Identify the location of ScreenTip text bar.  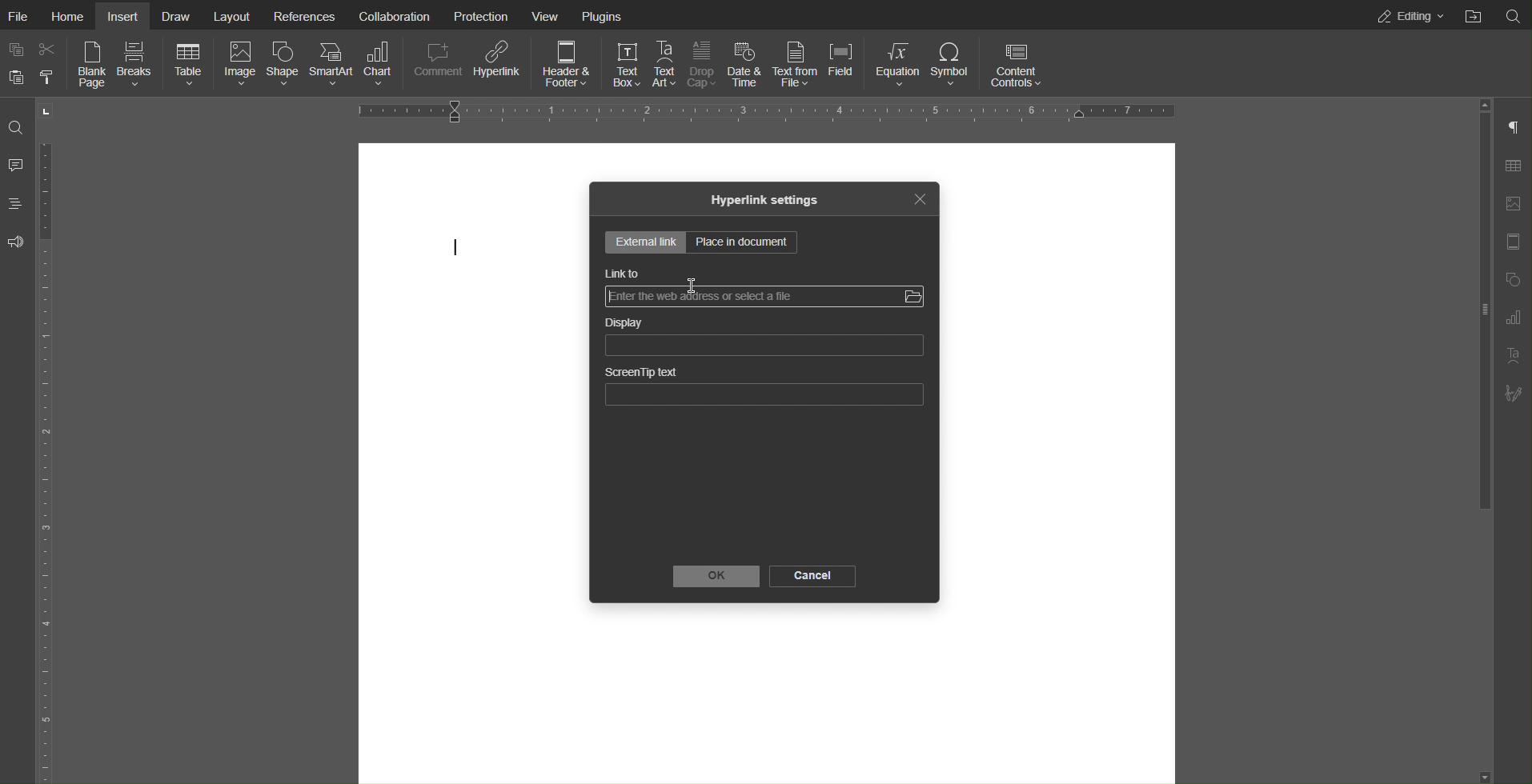
(765, 394).